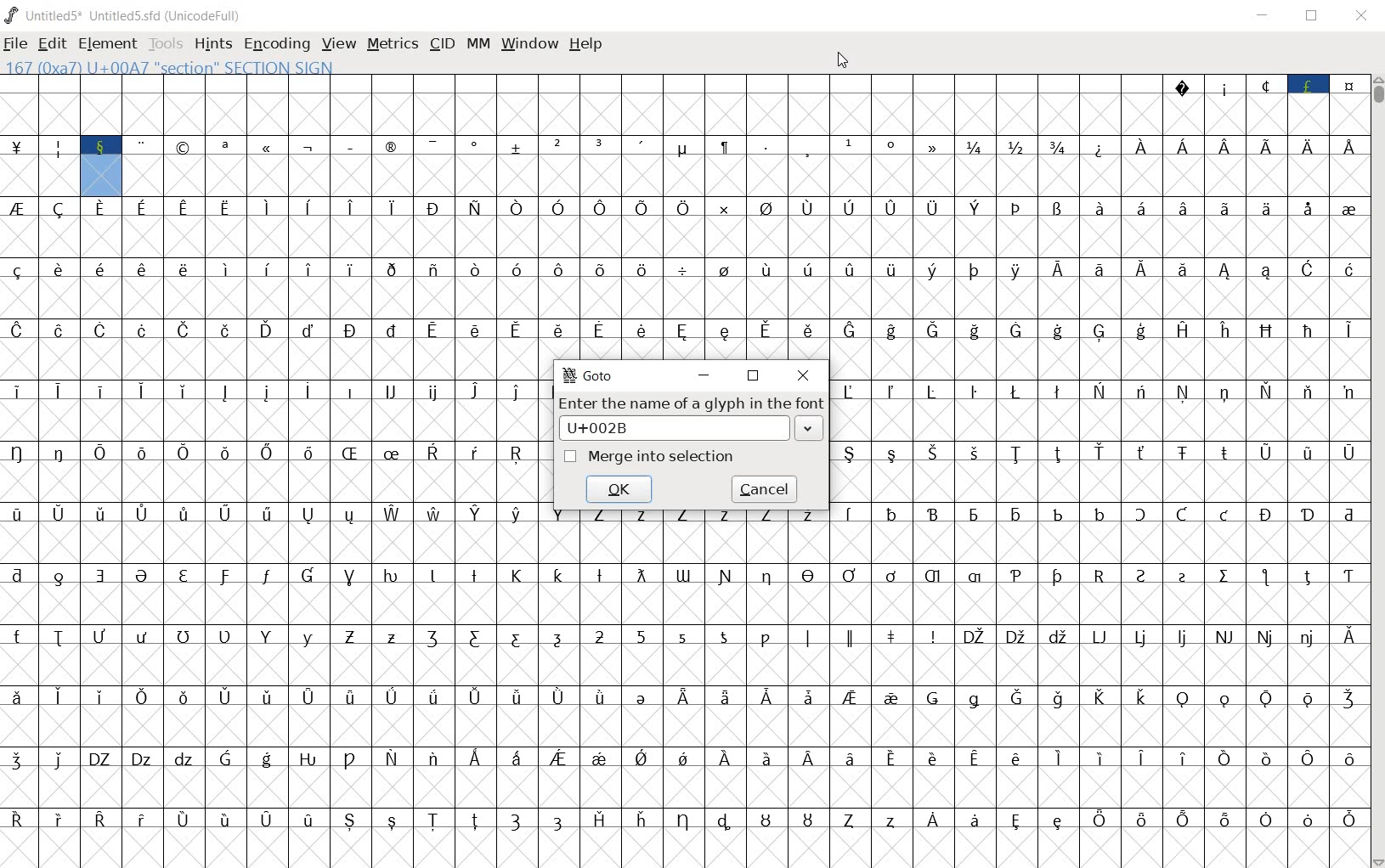  I want to click on file, so click(16, 43).